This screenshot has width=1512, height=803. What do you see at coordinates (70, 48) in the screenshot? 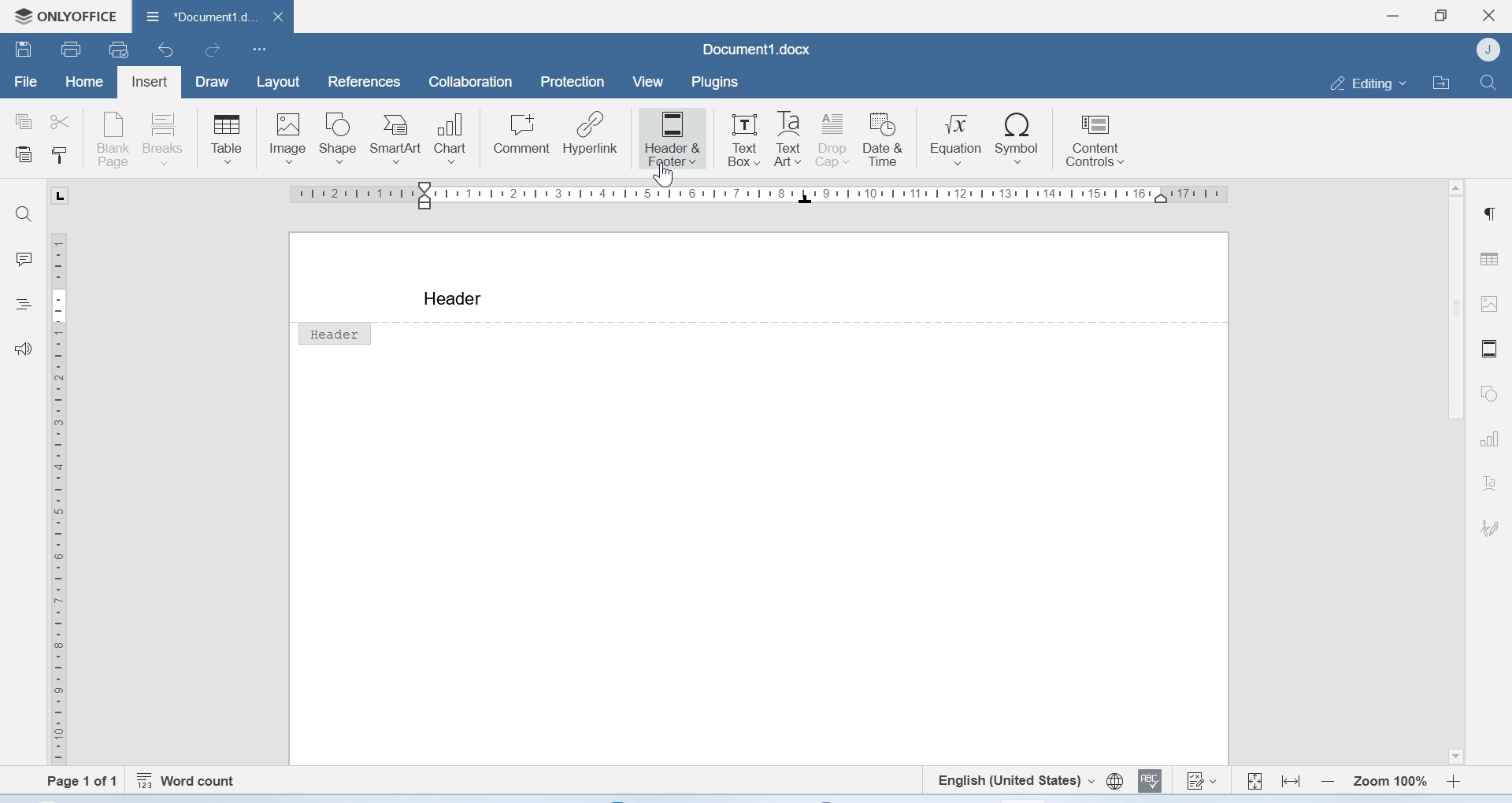
I see `Print file` at bounding box center [70, 48].